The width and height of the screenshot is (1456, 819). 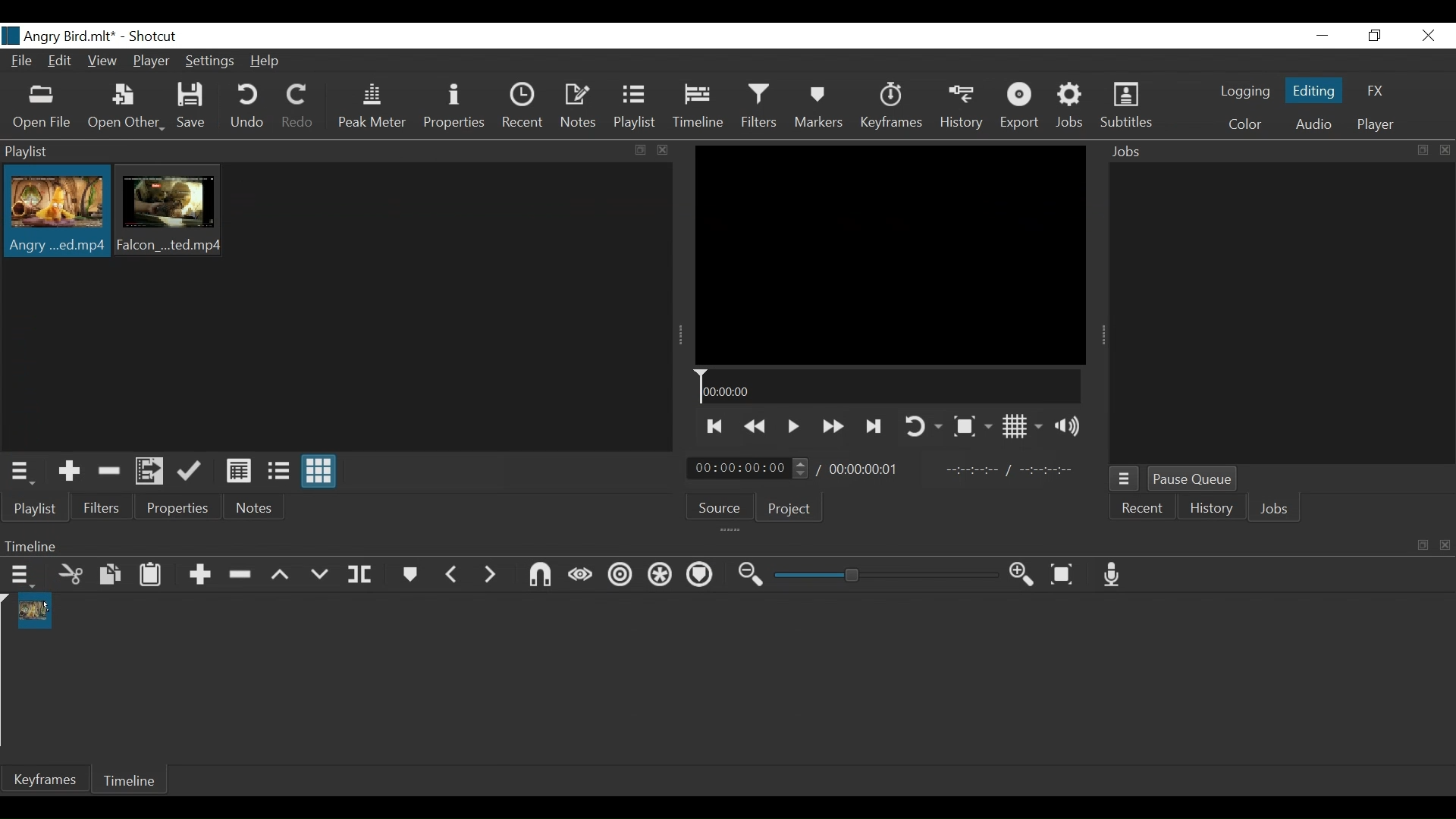 I want to click on Toggle display grid on player, so click(x=1023, y=427).